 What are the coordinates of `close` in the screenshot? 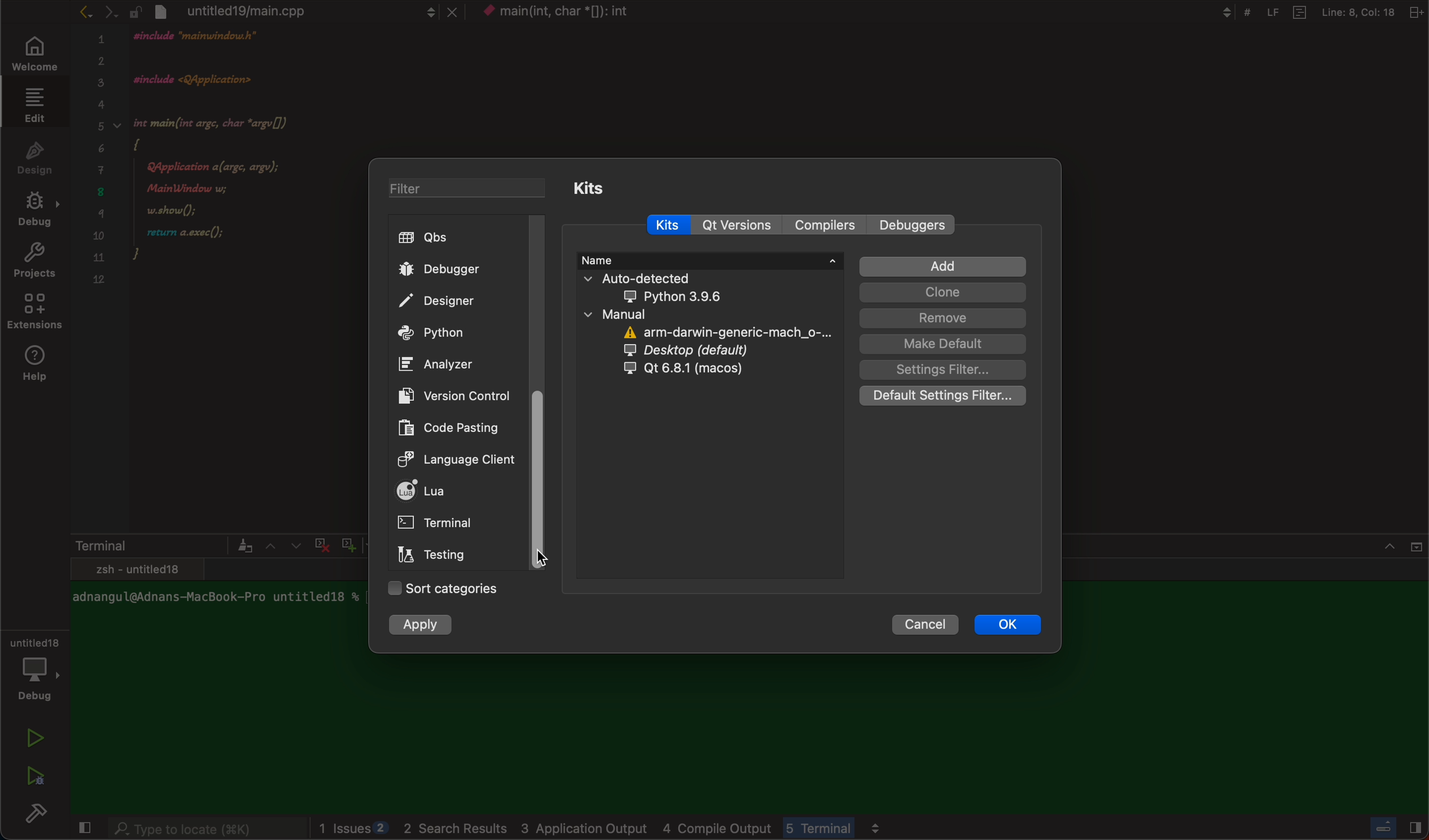 It's located at (1403, 543).